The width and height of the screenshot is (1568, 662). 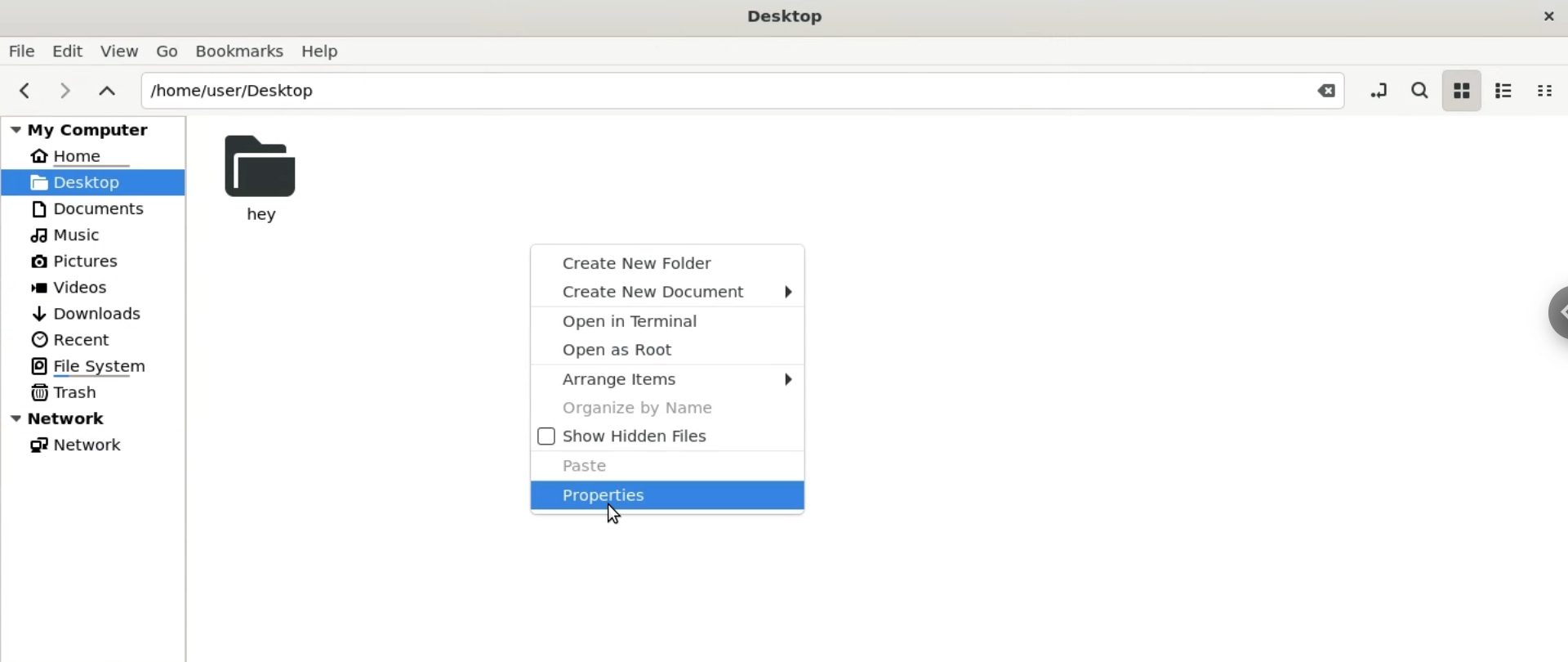 I want to click on properties, so click(x=672, y=496).